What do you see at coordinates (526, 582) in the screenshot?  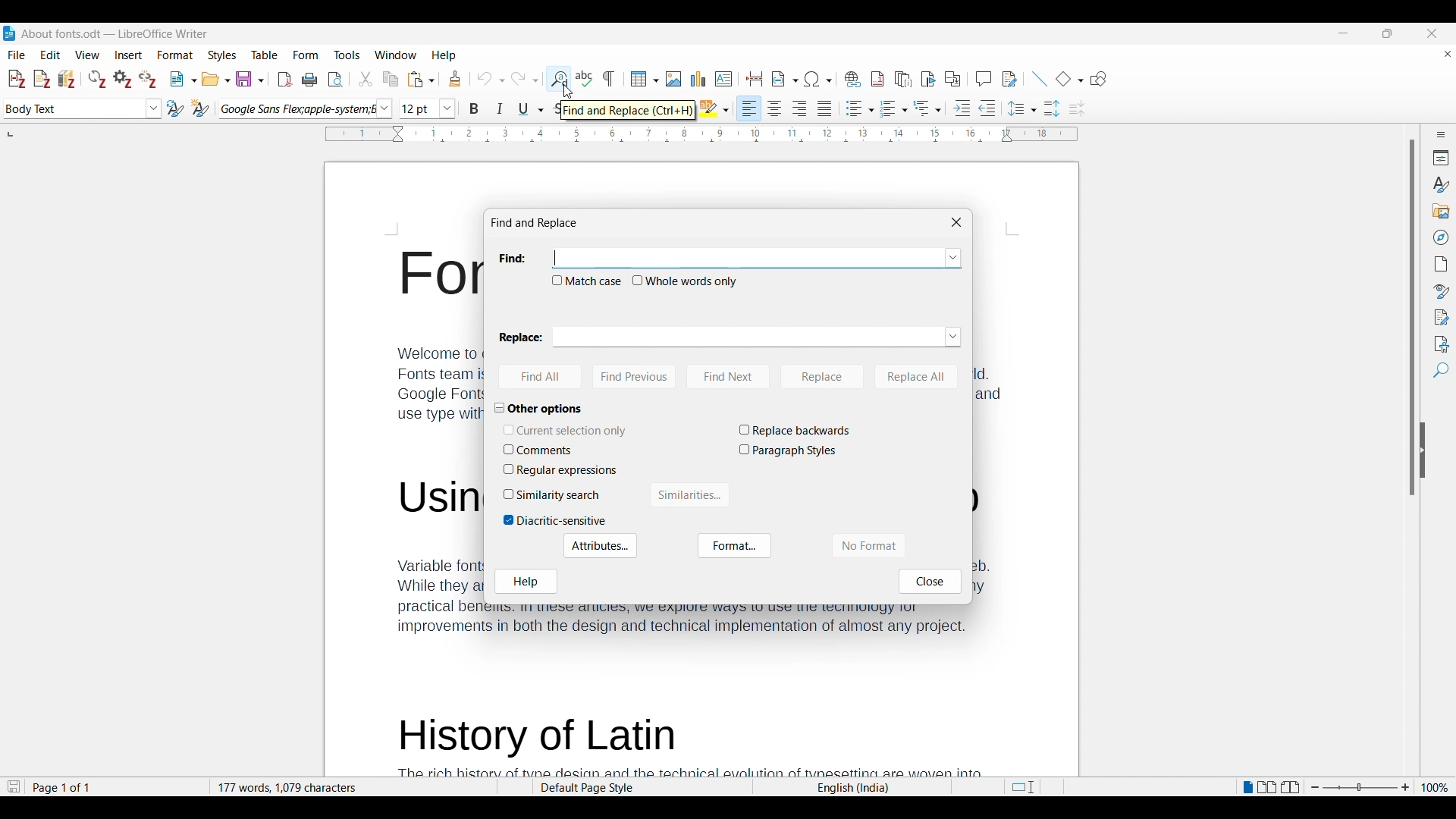 I see `Help` at bounding box center [526, 582].